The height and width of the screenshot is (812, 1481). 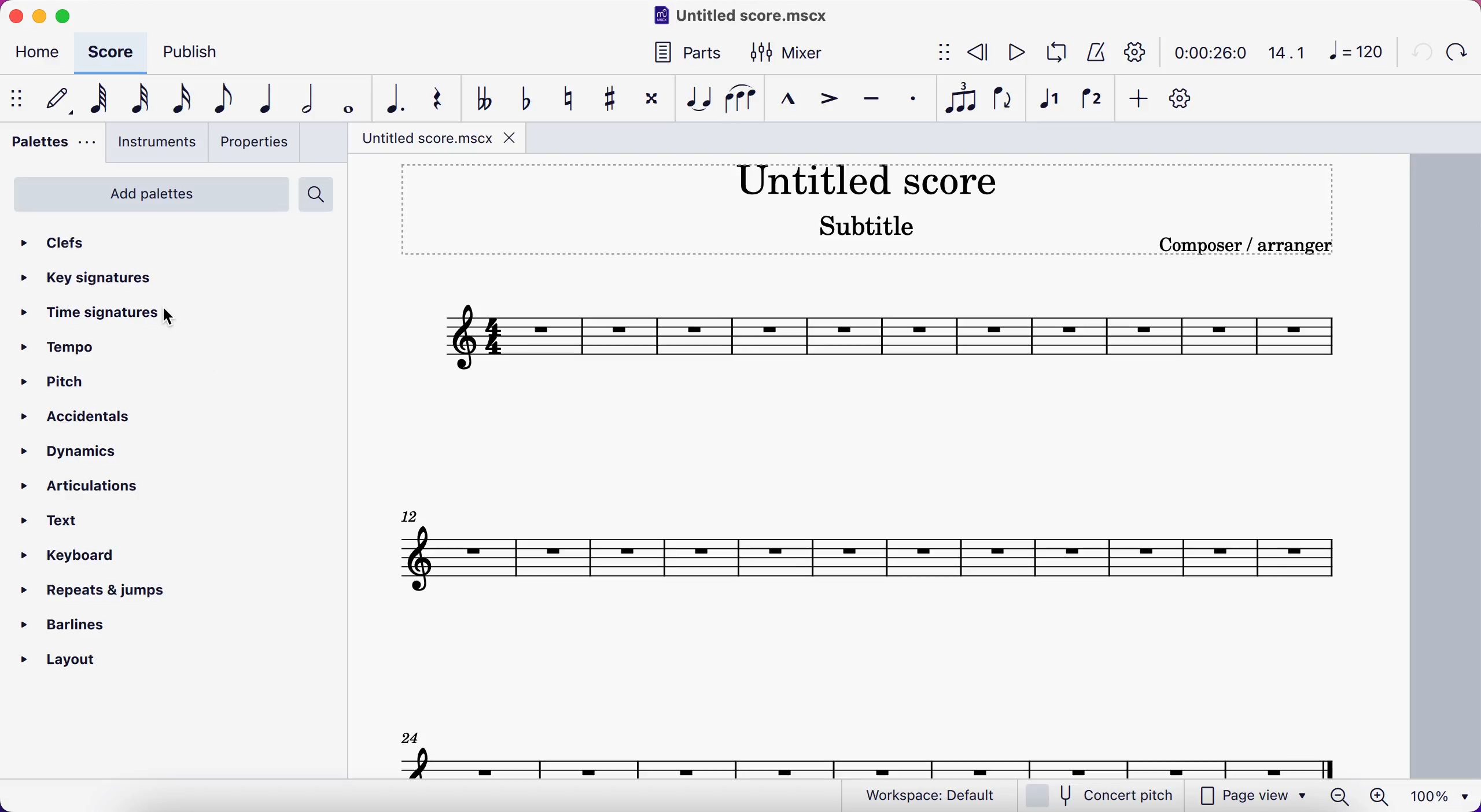 I want to click on score, so click(x=105, y=53).